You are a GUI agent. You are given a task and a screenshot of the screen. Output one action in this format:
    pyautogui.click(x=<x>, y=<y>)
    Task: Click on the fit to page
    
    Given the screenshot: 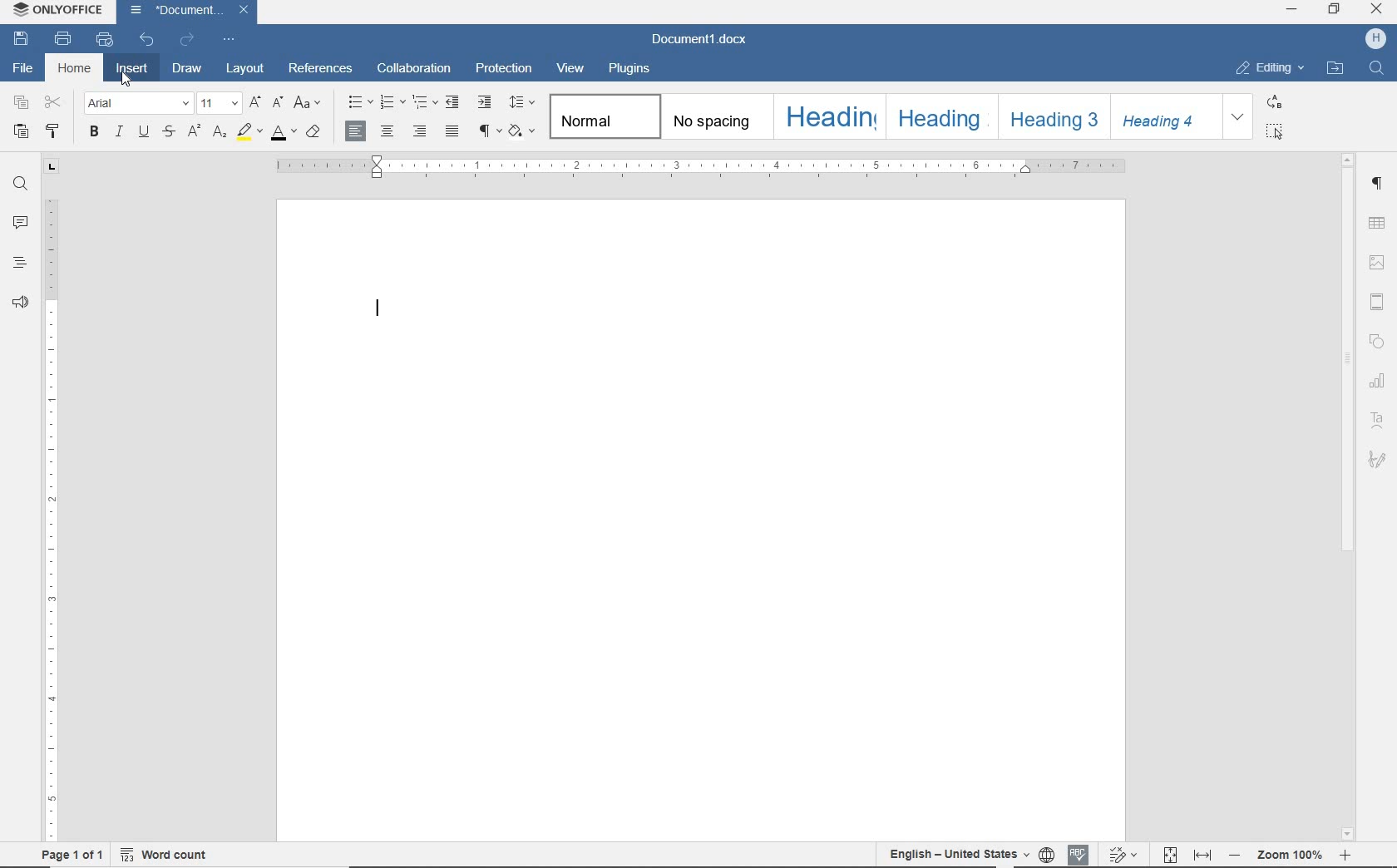 What is the action you would take?
    pyautogui.click(x=1171, y=854)
    